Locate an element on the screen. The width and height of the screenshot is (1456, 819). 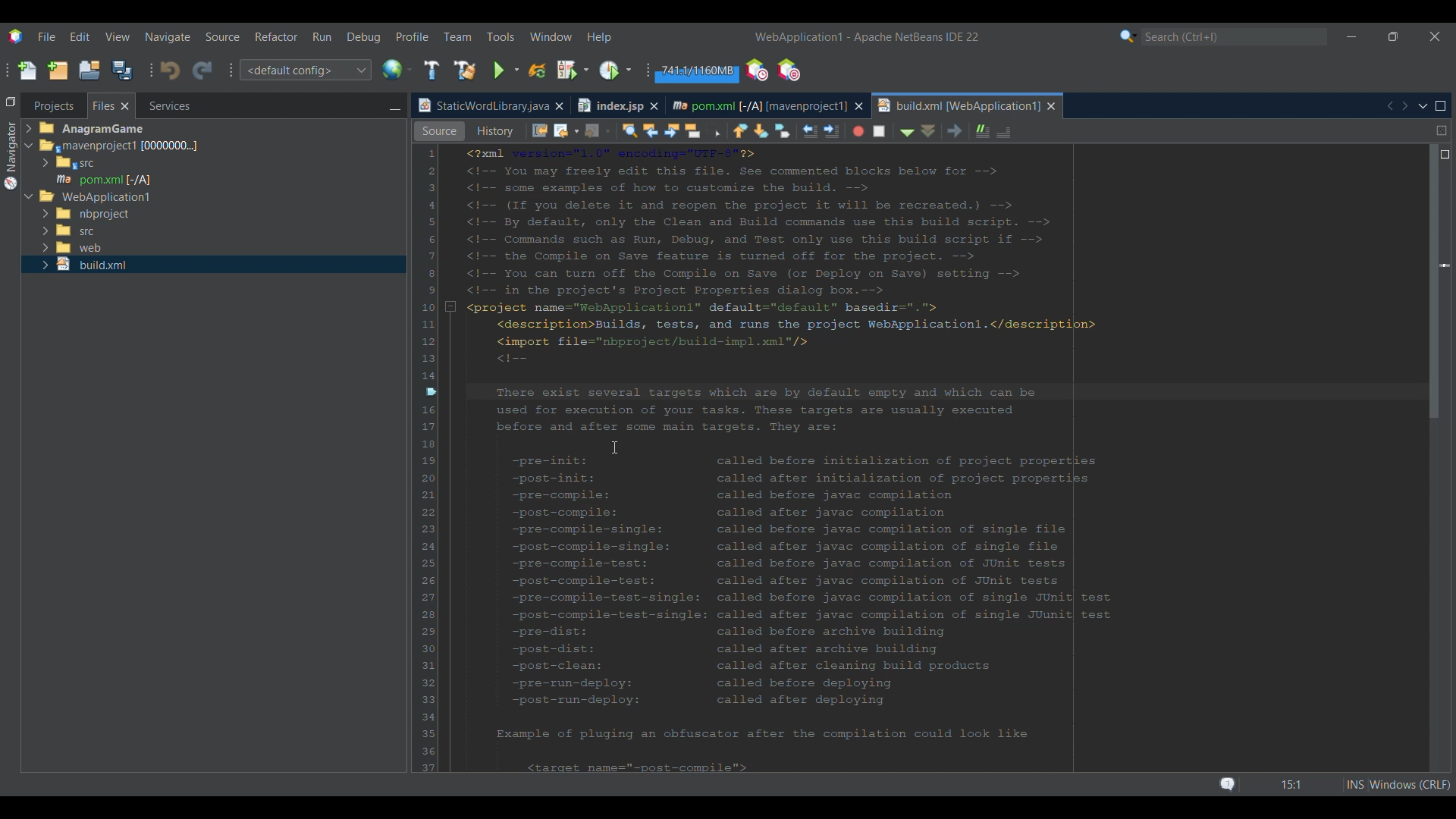
Vertical slide bar is located at coordinates (1436, 461).